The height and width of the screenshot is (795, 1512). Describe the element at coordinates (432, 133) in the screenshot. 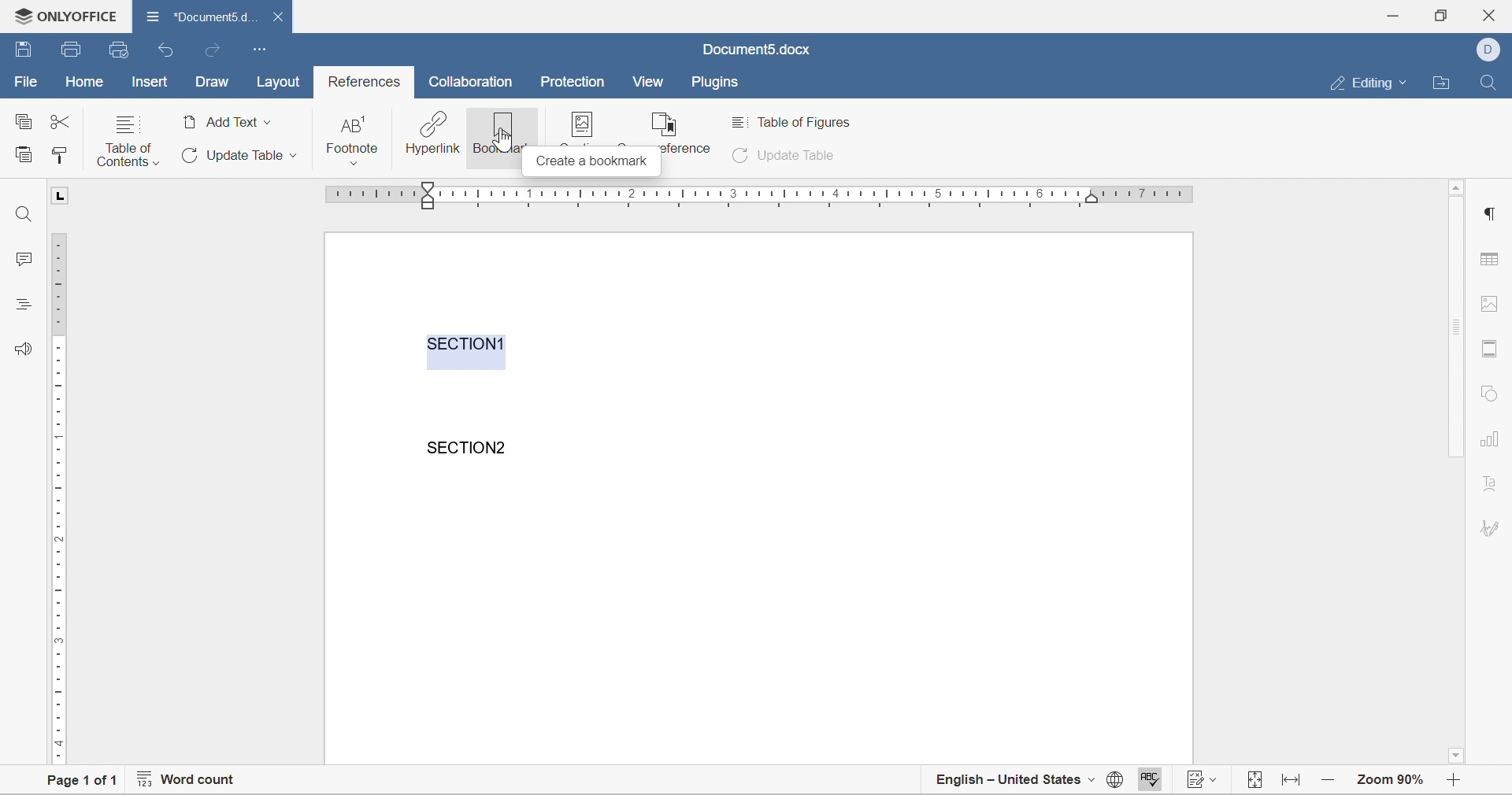

I see `hyperlink` at that location.